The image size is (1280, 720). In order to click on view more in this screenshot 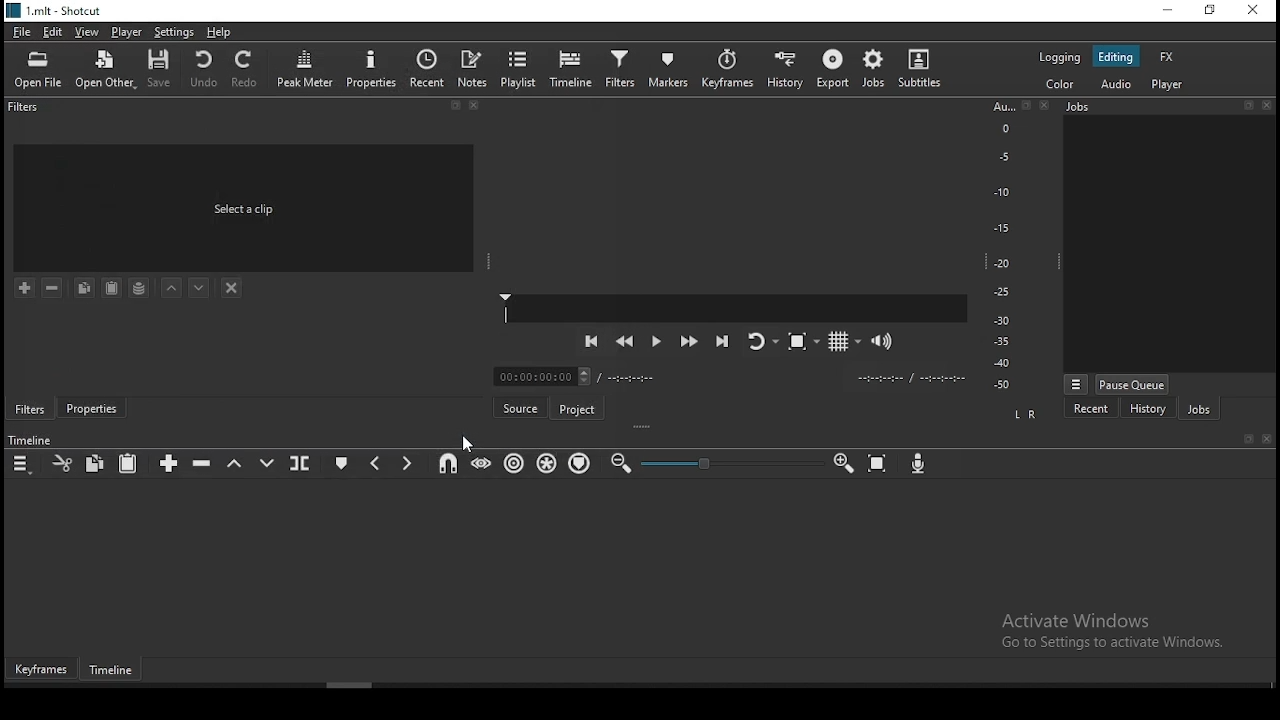, I will do `click(1075, 383)`.